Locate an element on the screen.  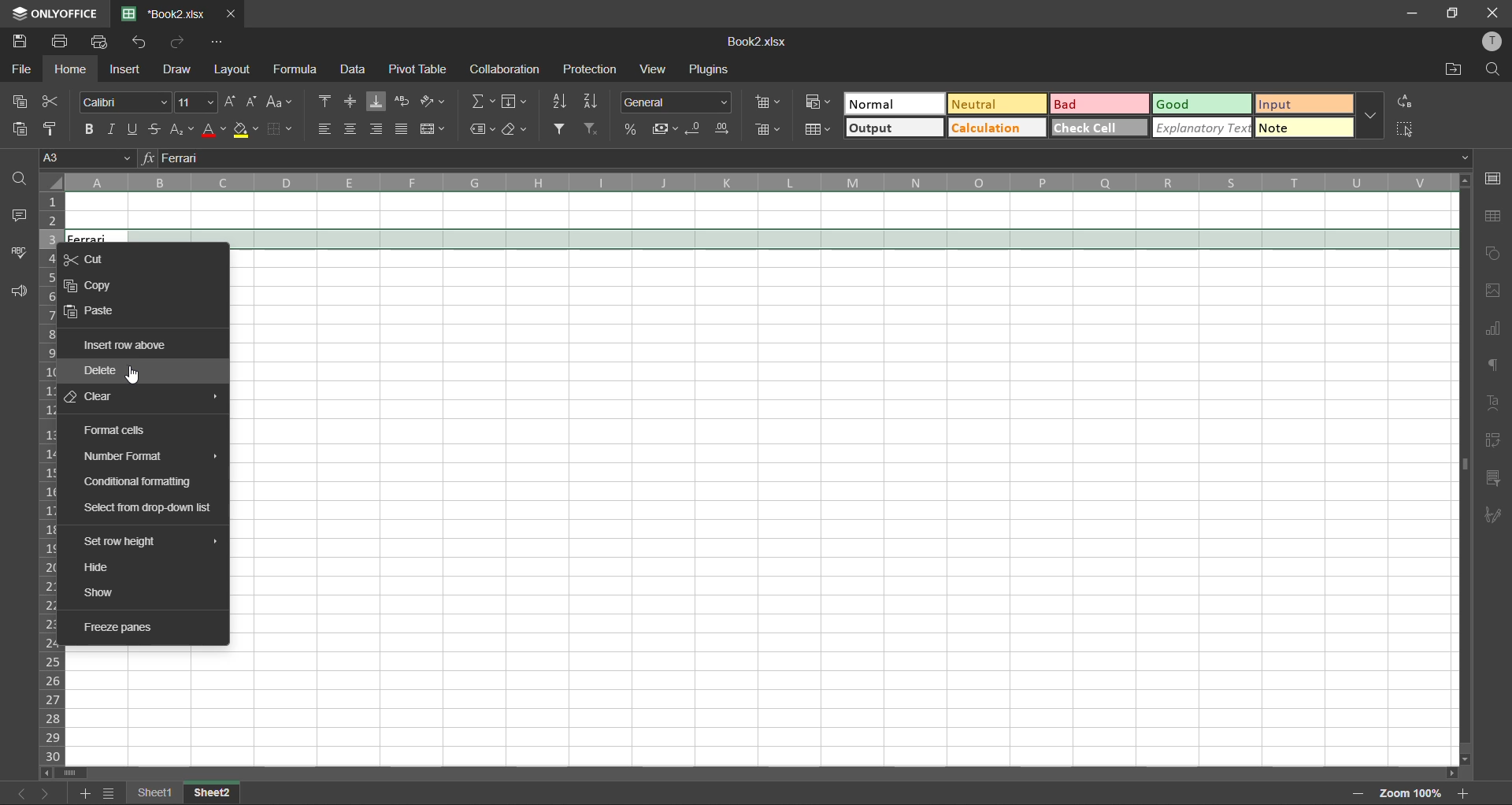
fill color is located at coordinates (245, 128).